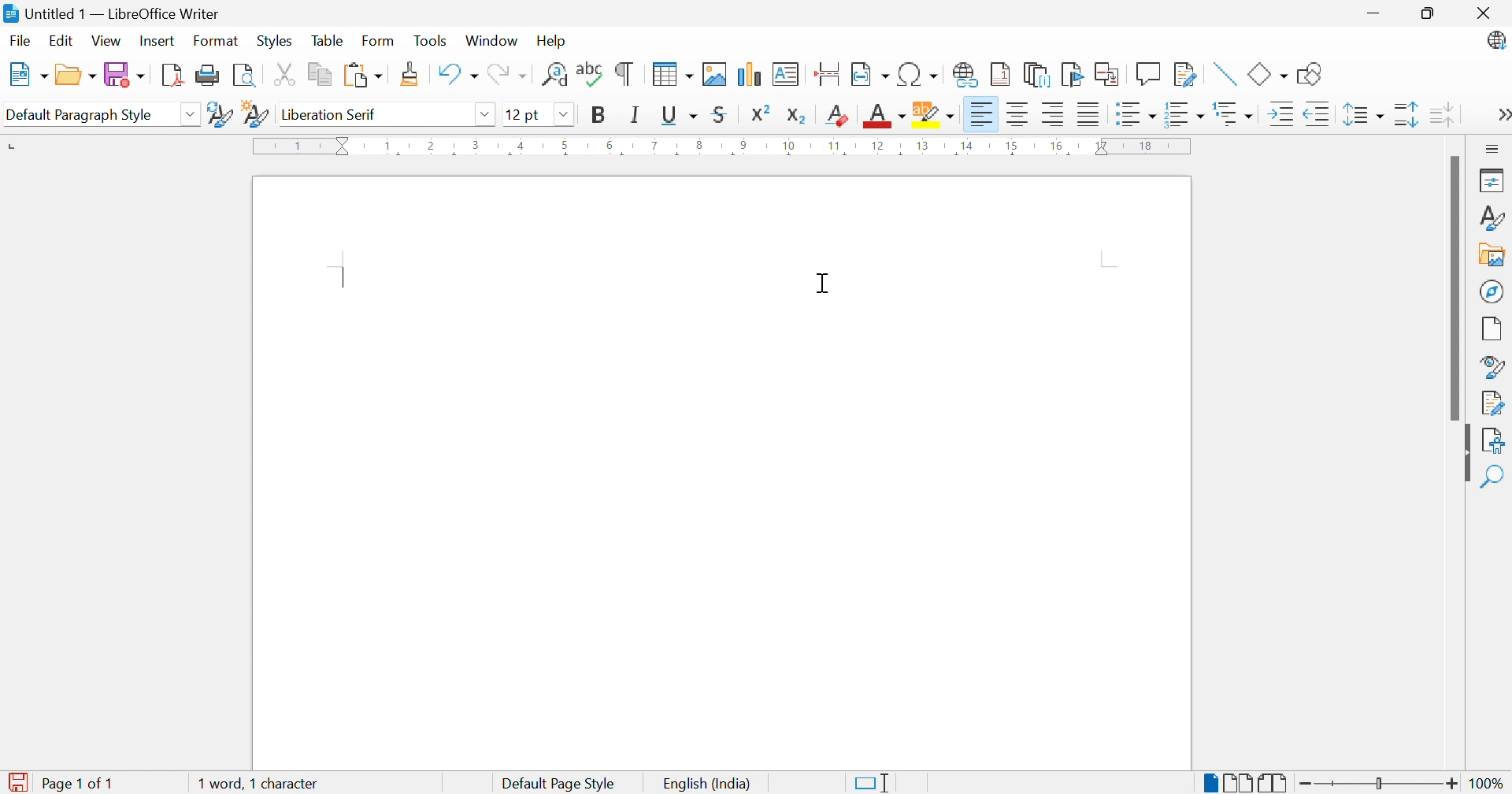  I want to click on Hide, so click(1466, 460).